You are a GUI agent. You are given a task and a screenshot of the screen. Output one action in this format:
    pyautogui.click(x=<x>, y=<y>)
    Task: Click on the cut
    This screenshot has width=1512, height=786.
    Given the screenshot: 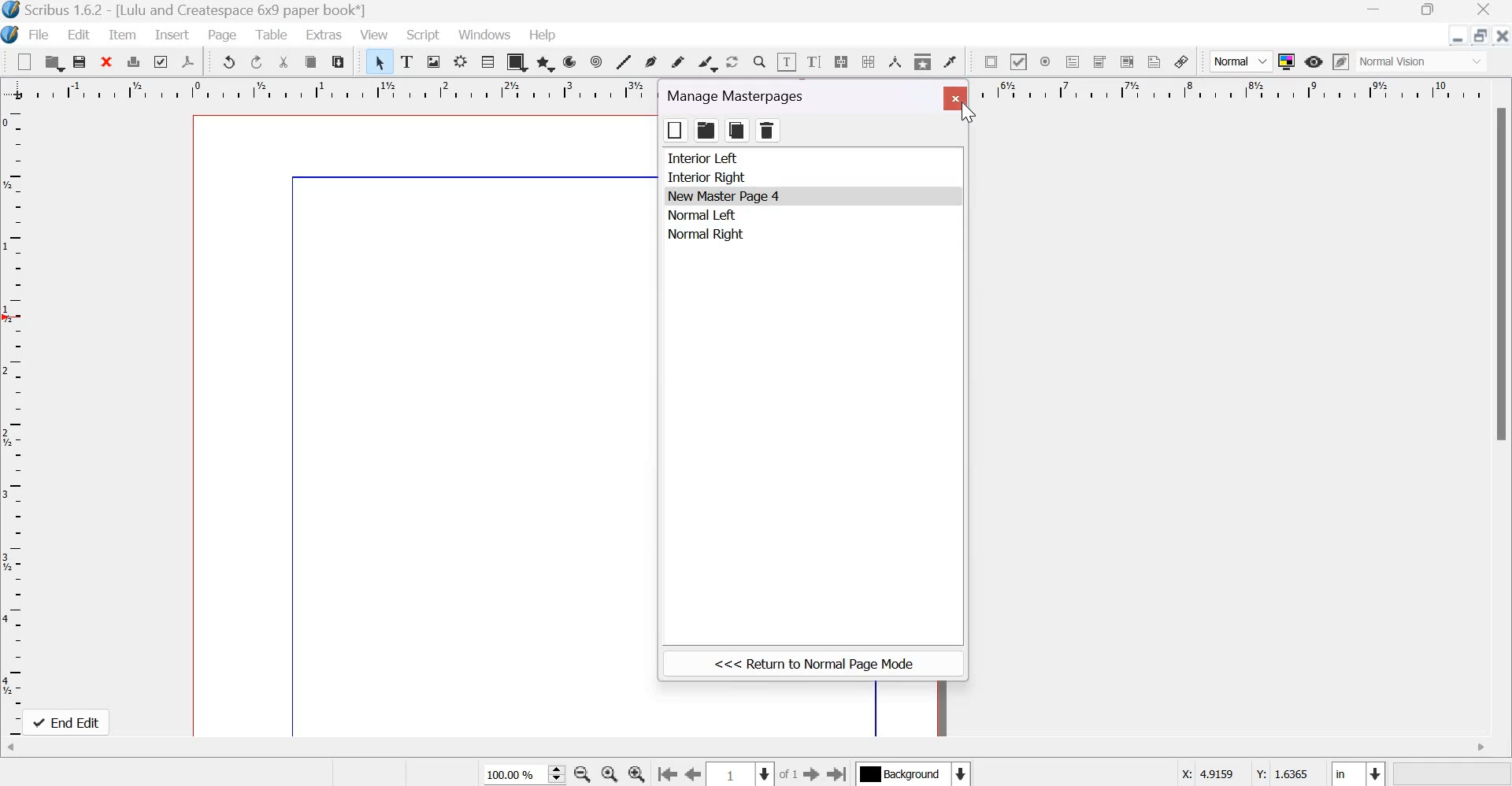 What is the action you would take?
    pyautogui.click(x=284, y=62)
    